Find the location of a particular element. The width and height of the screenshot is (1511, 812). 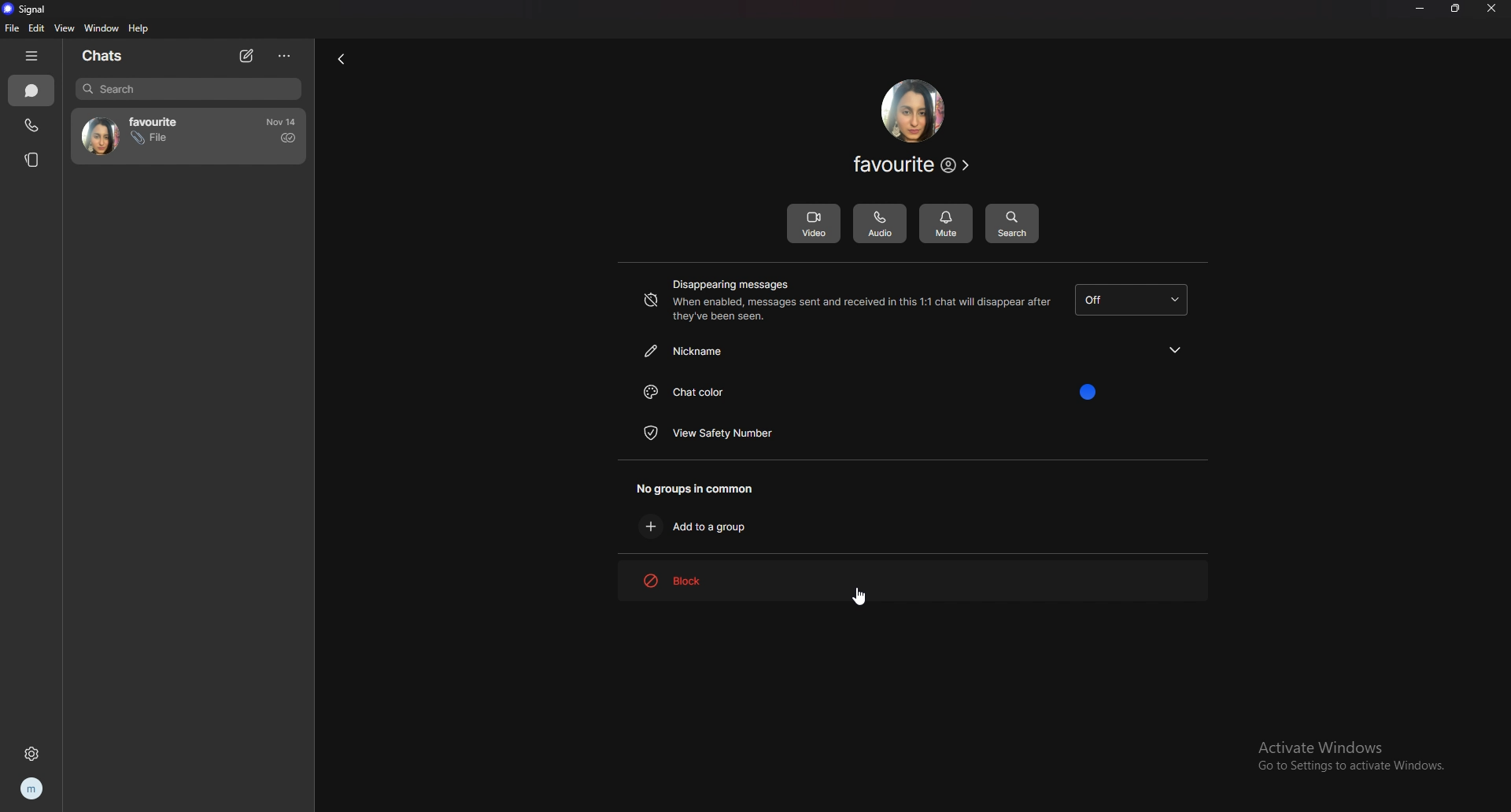

help is located at coordinates (138, 29).